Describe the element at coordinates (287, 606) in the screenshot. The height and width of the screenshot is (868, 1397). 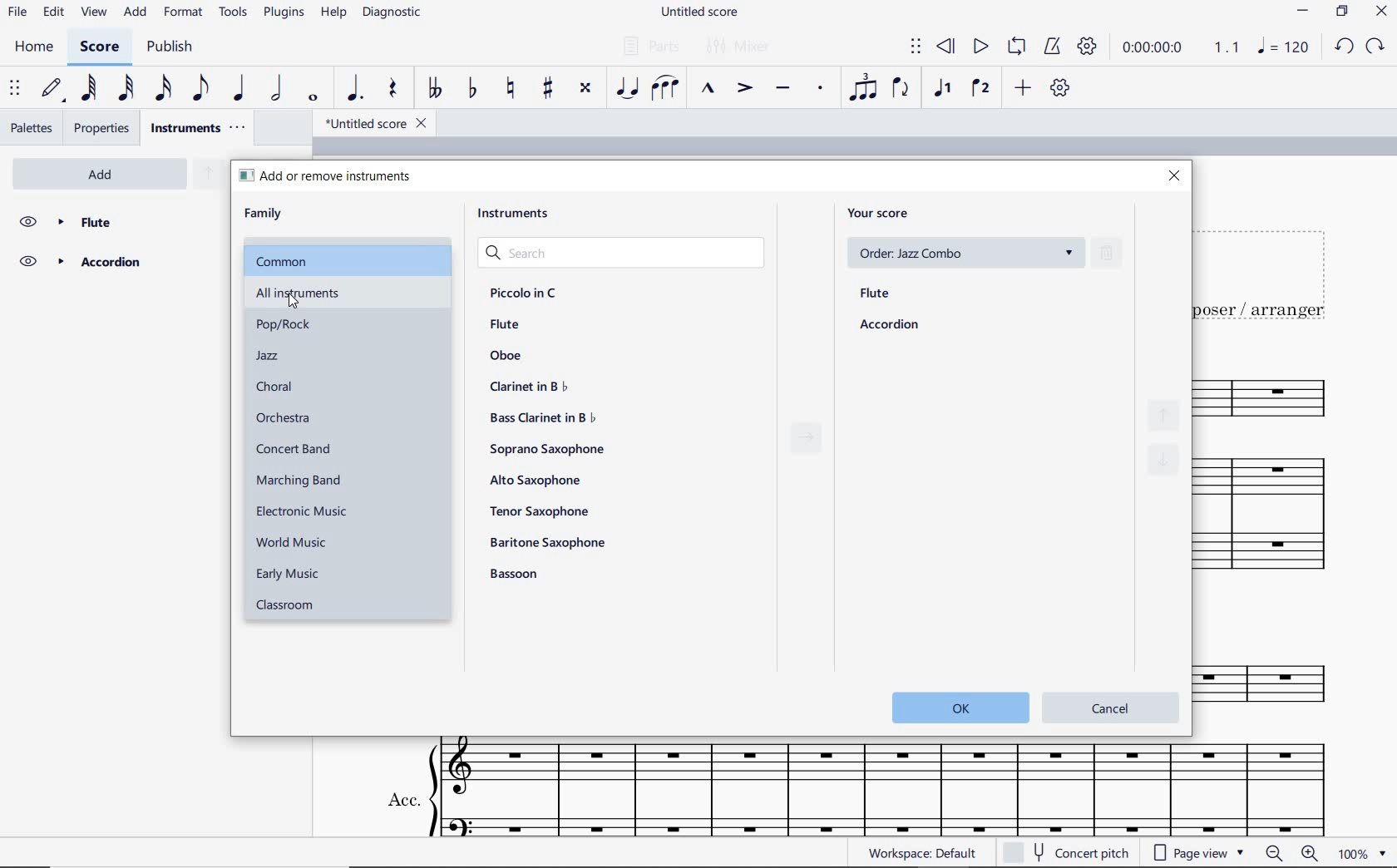
I see `classroom` at that location.